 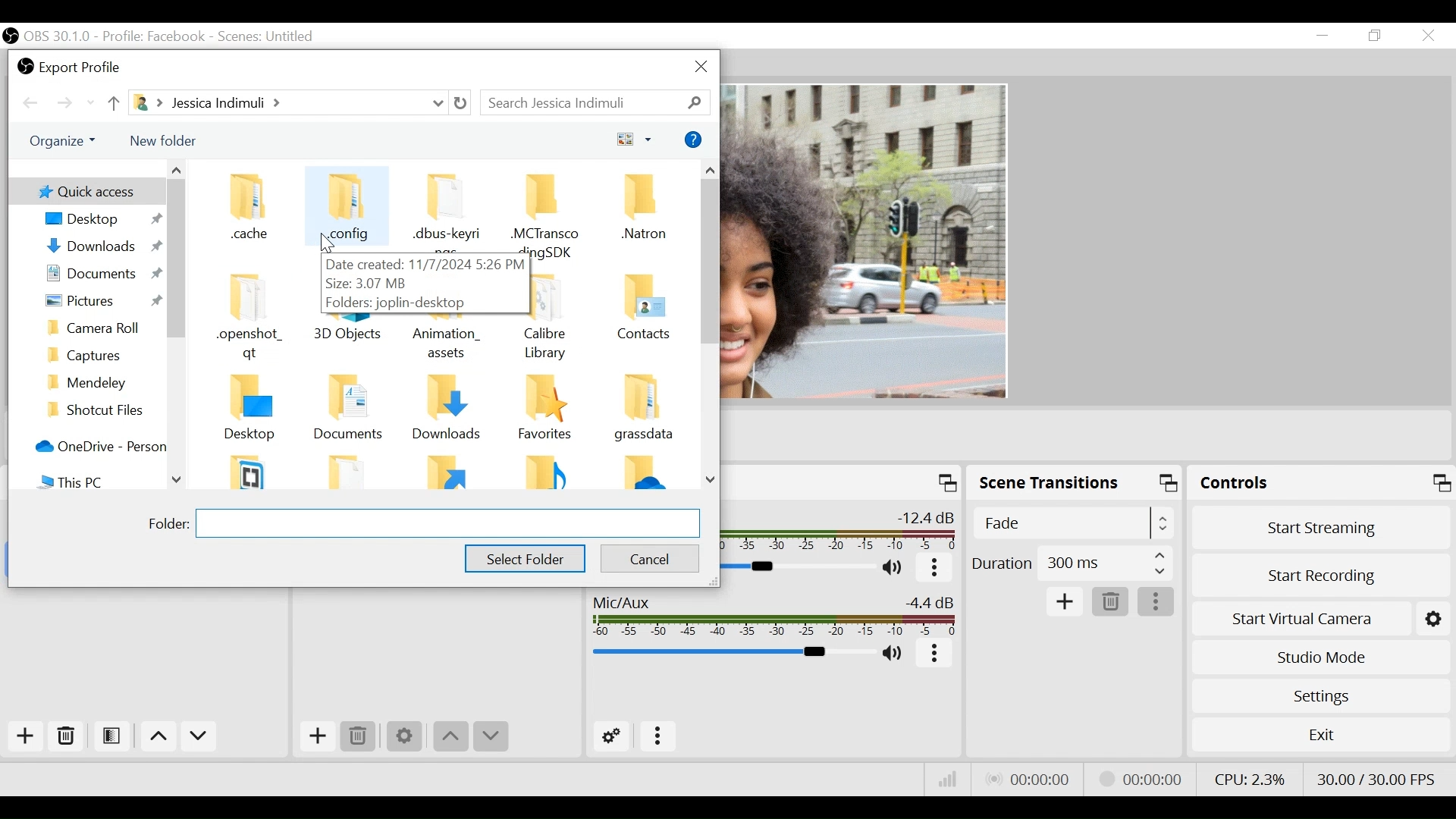 I want to click on Move back, so click(x=34, y=104).